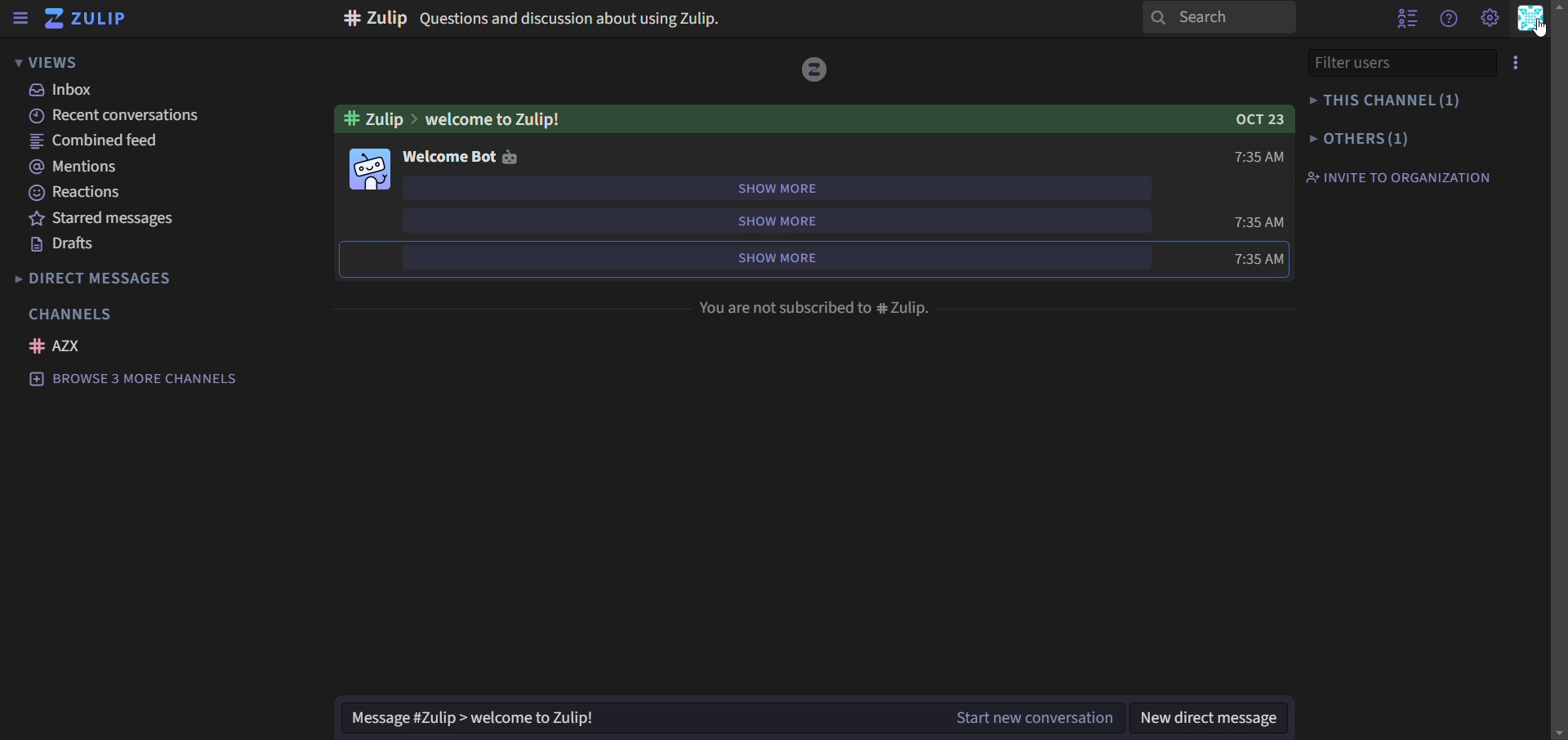 Image resolution: width=1568 pixels, height=740 pixels. I want to click on You are not subscribed to # Zulip., so click(808, 307).